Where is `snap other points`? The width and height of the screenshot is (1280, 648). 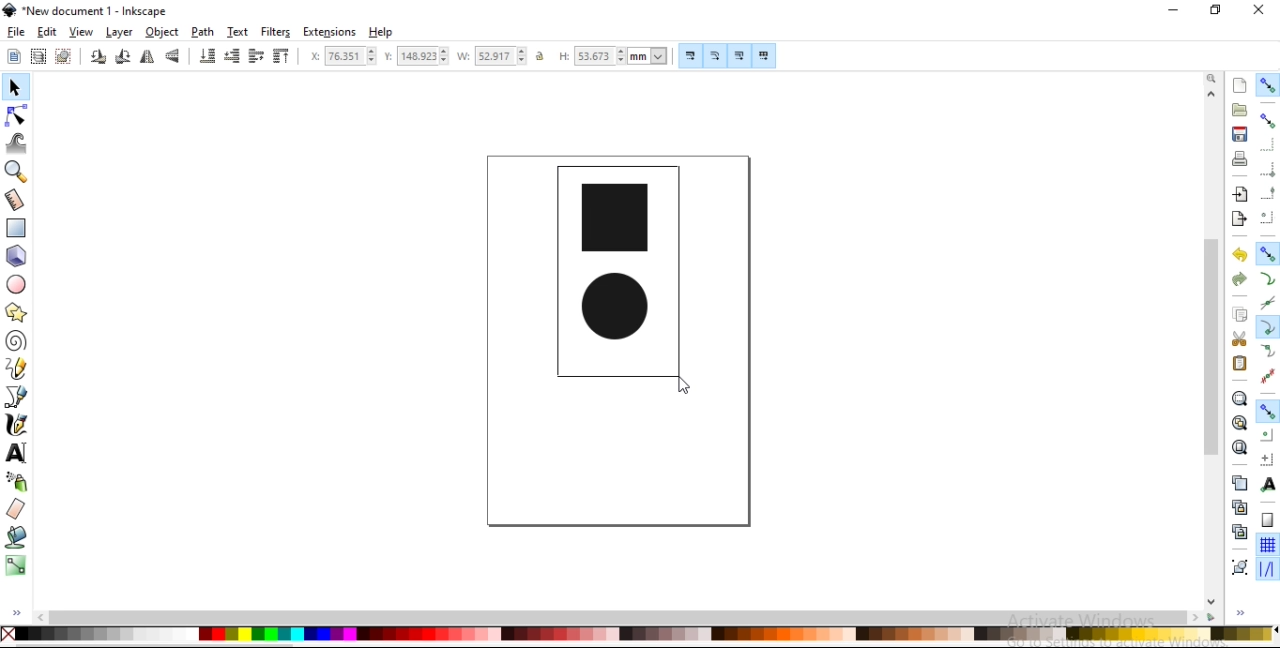 snap other points is located at coordinates (1268, 411).